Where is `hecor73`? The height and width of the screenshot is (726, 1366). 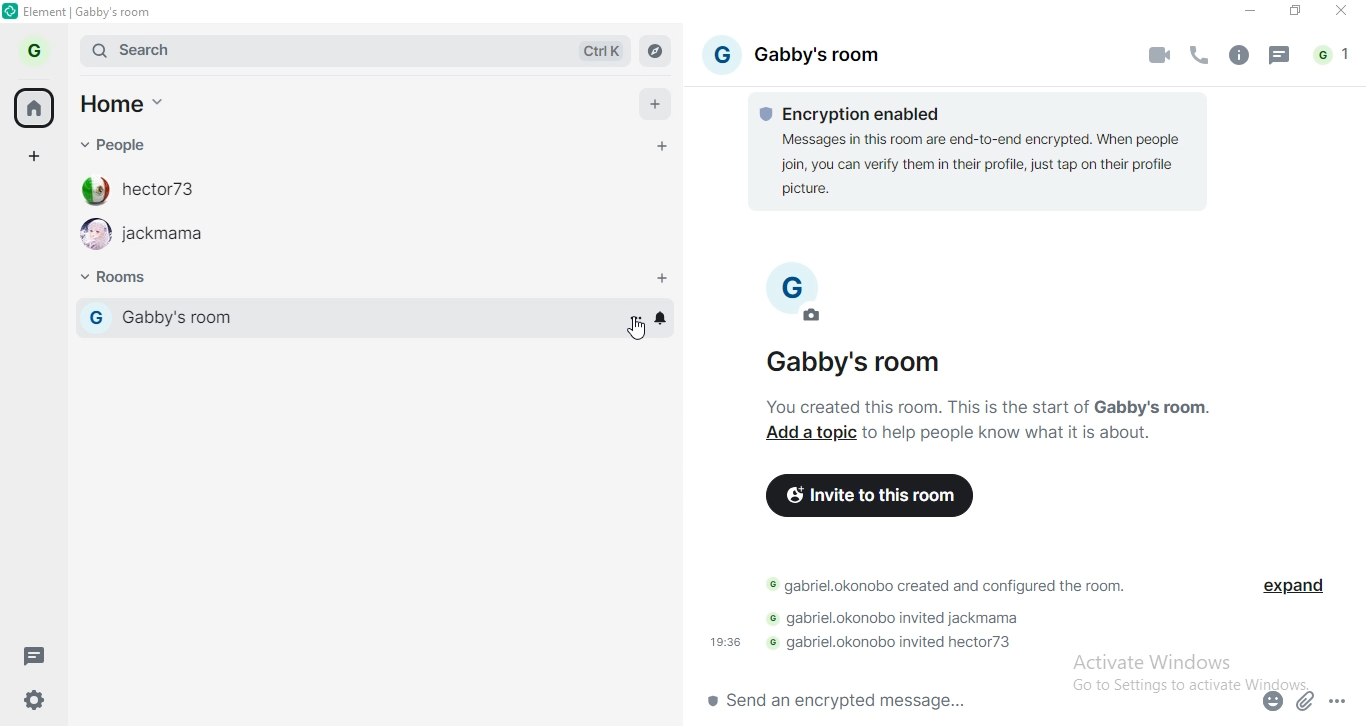 hecor73 is located at coordinates (168, 192).